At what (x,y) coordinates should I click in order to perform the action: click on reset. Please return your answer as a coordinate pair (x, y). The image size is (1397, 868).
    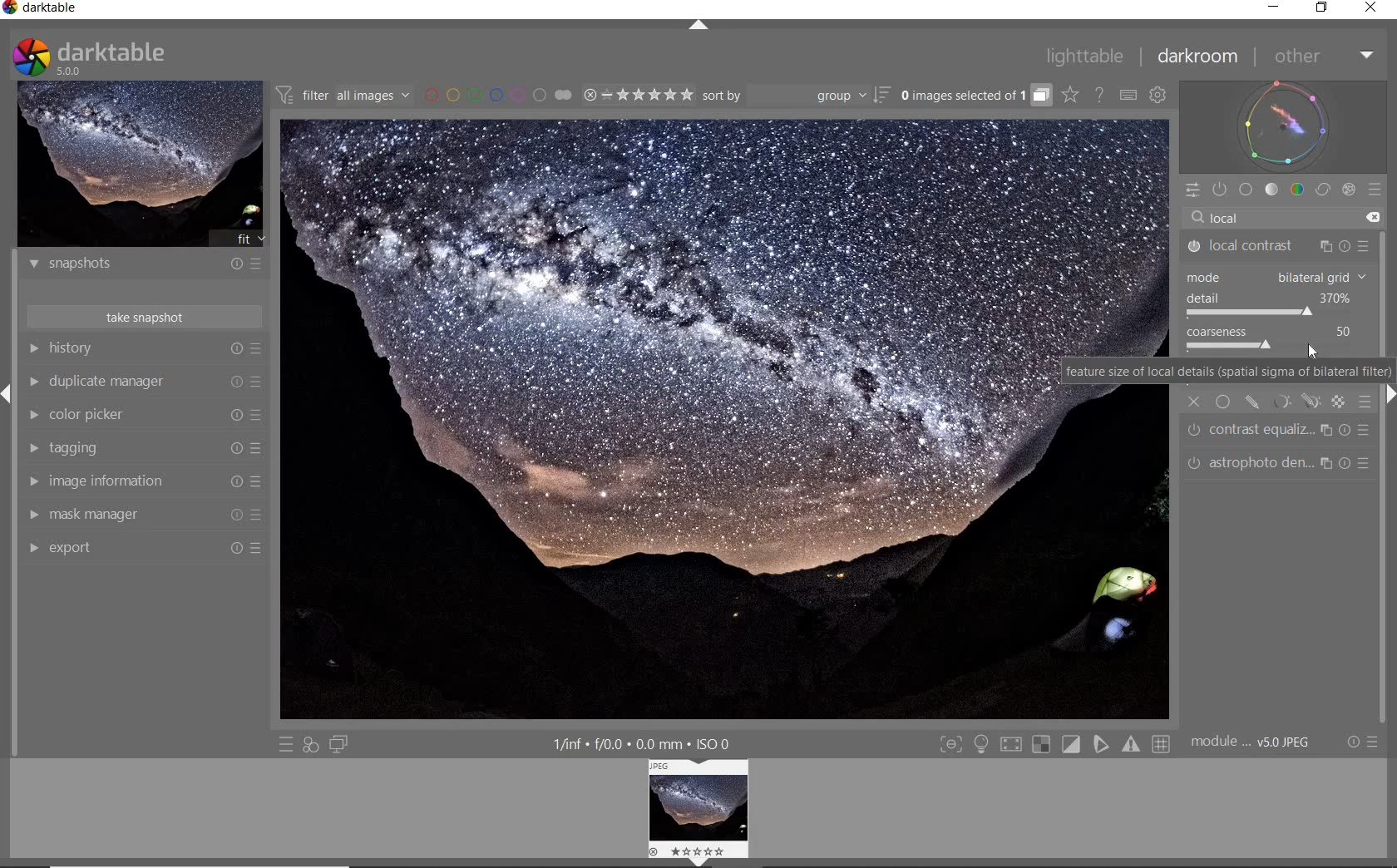
    Looking at the image, I should click on (234, 265).